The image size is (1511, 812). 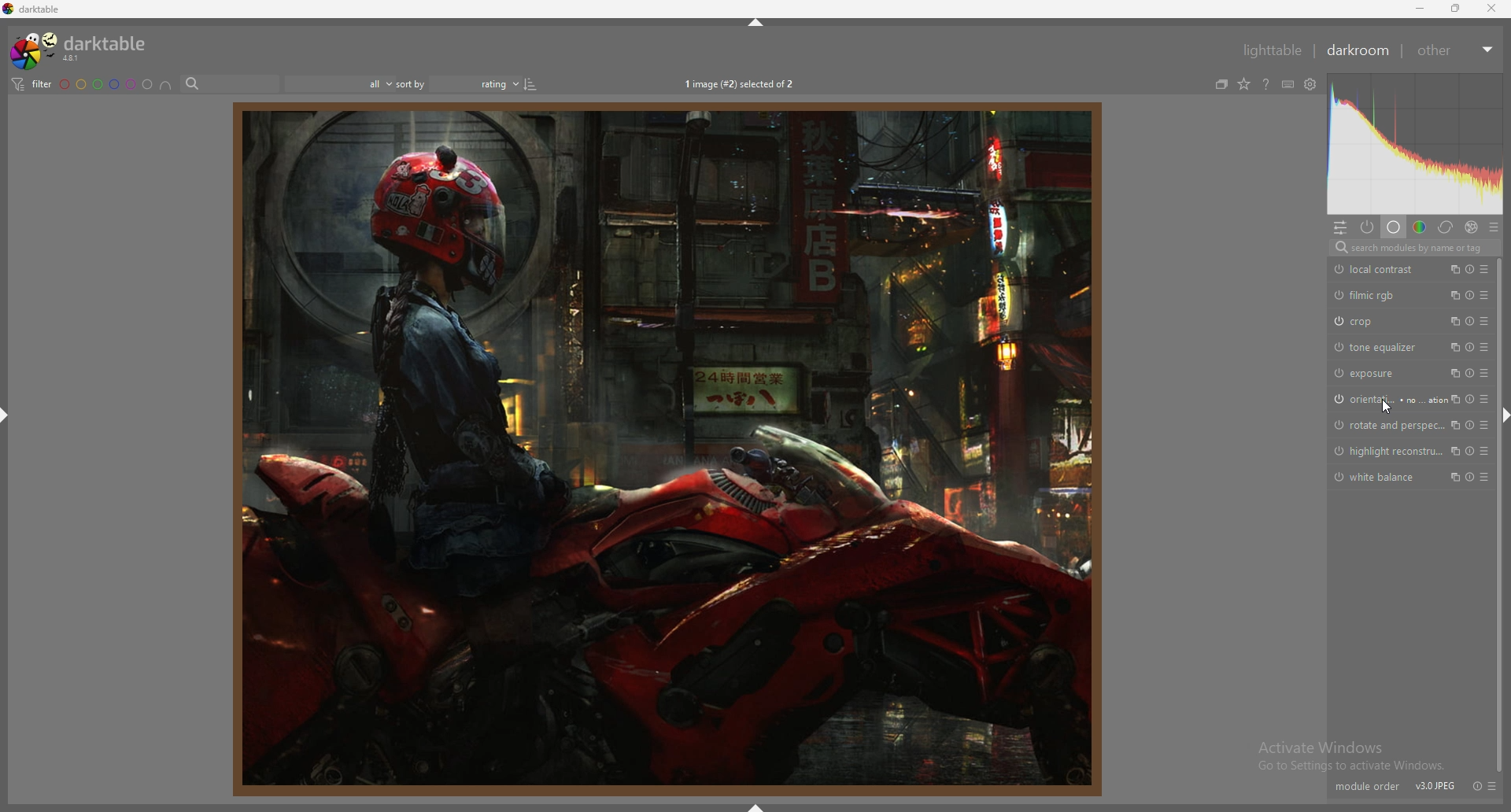 I want to click on change type of overlays, so click(x=1245, y=83).